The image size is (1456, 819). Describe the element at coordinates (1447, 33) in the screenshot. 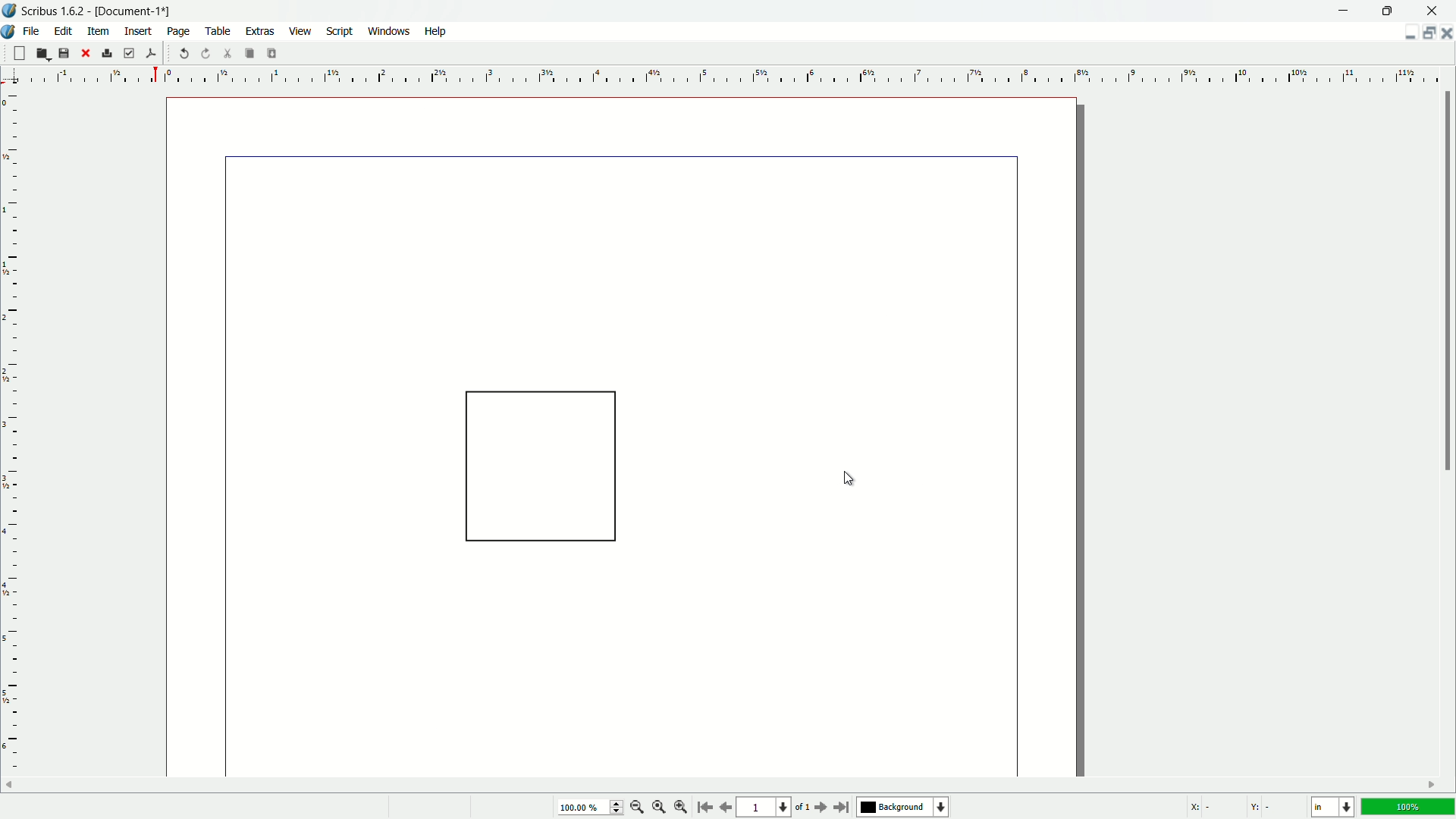

I see `close document` at that location.